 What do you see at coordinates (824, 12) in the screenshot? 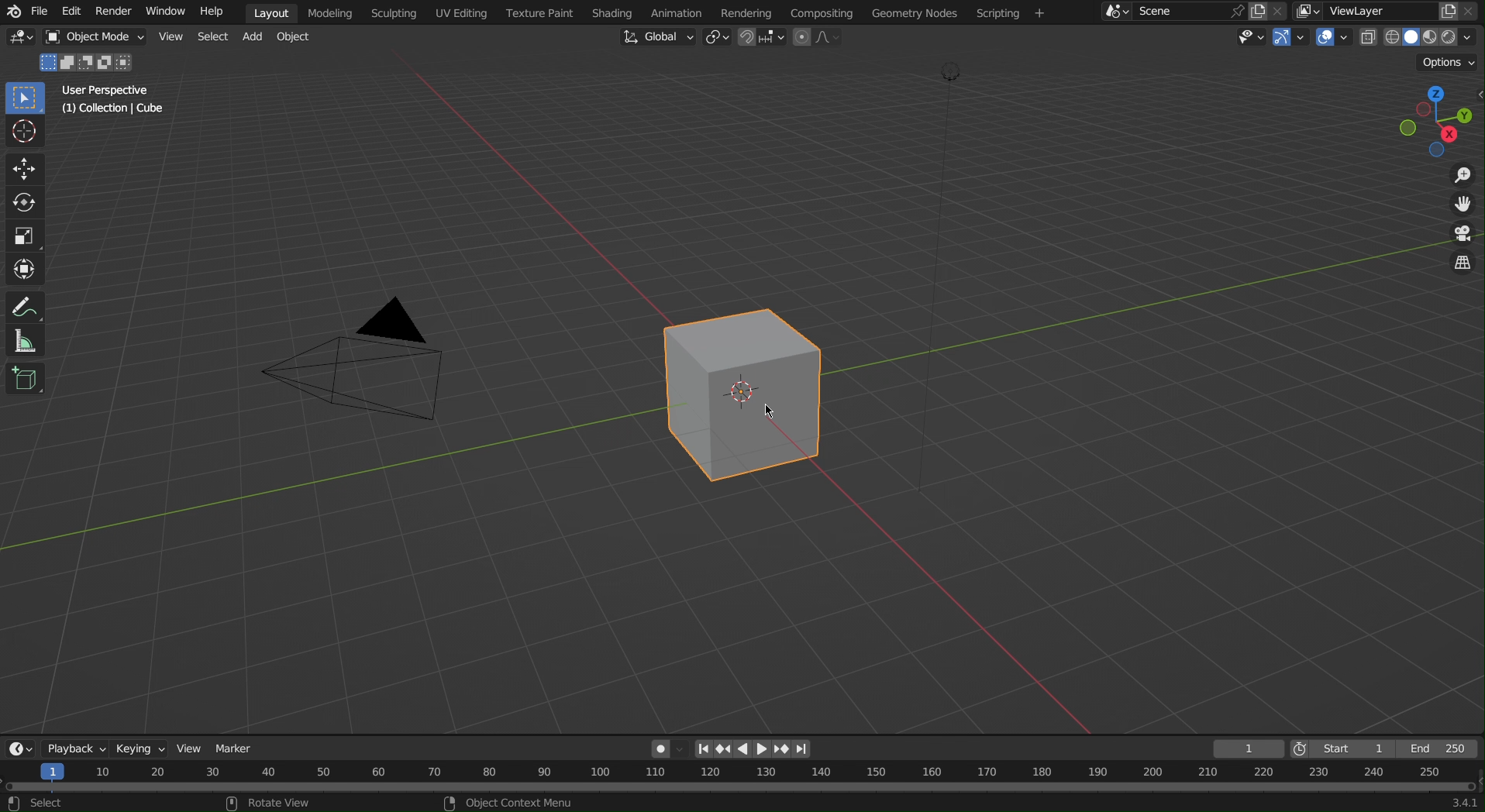
I see `Compositing` at bounding box center [824, 12].